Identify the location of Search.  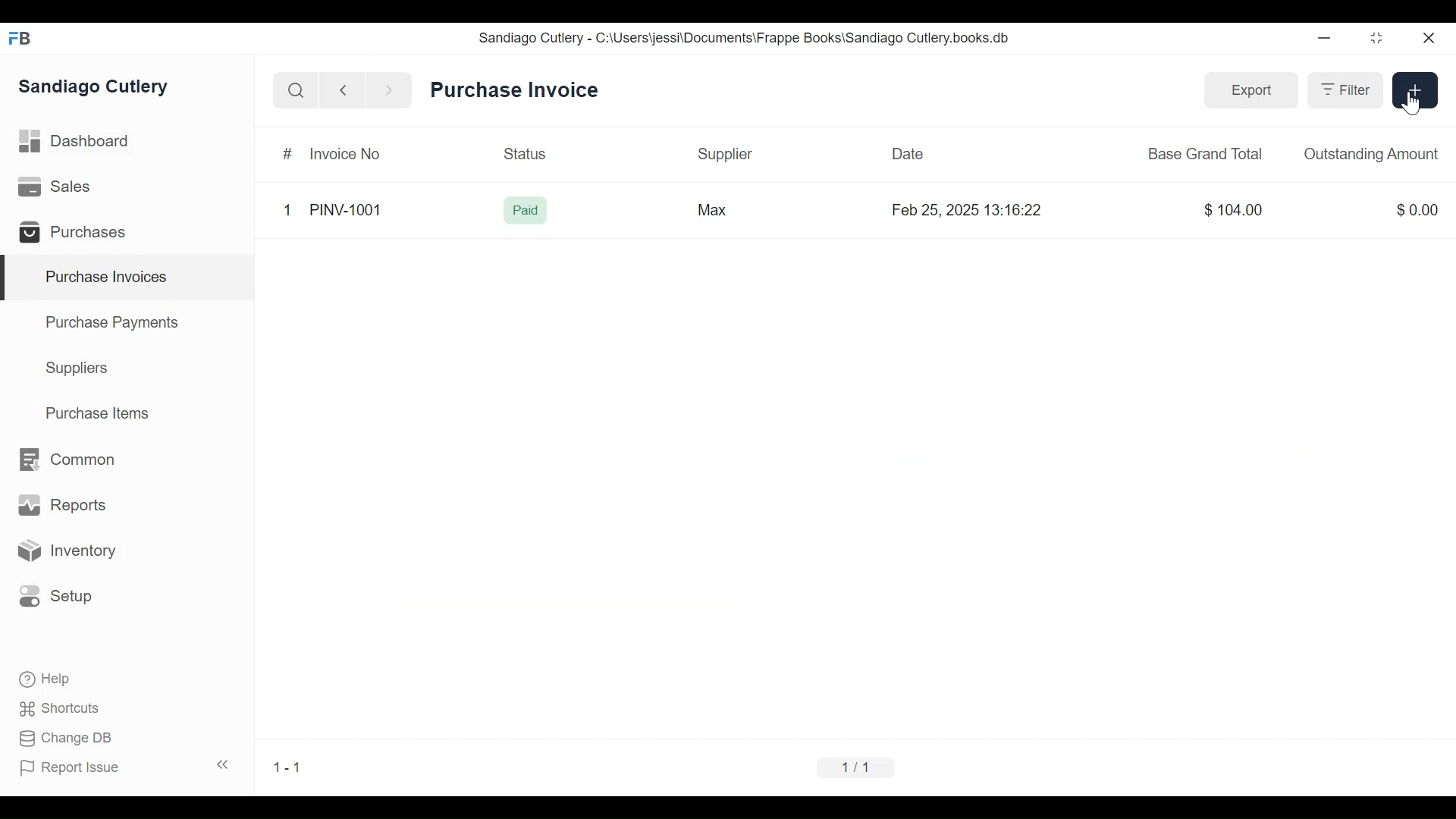
(296, 90).